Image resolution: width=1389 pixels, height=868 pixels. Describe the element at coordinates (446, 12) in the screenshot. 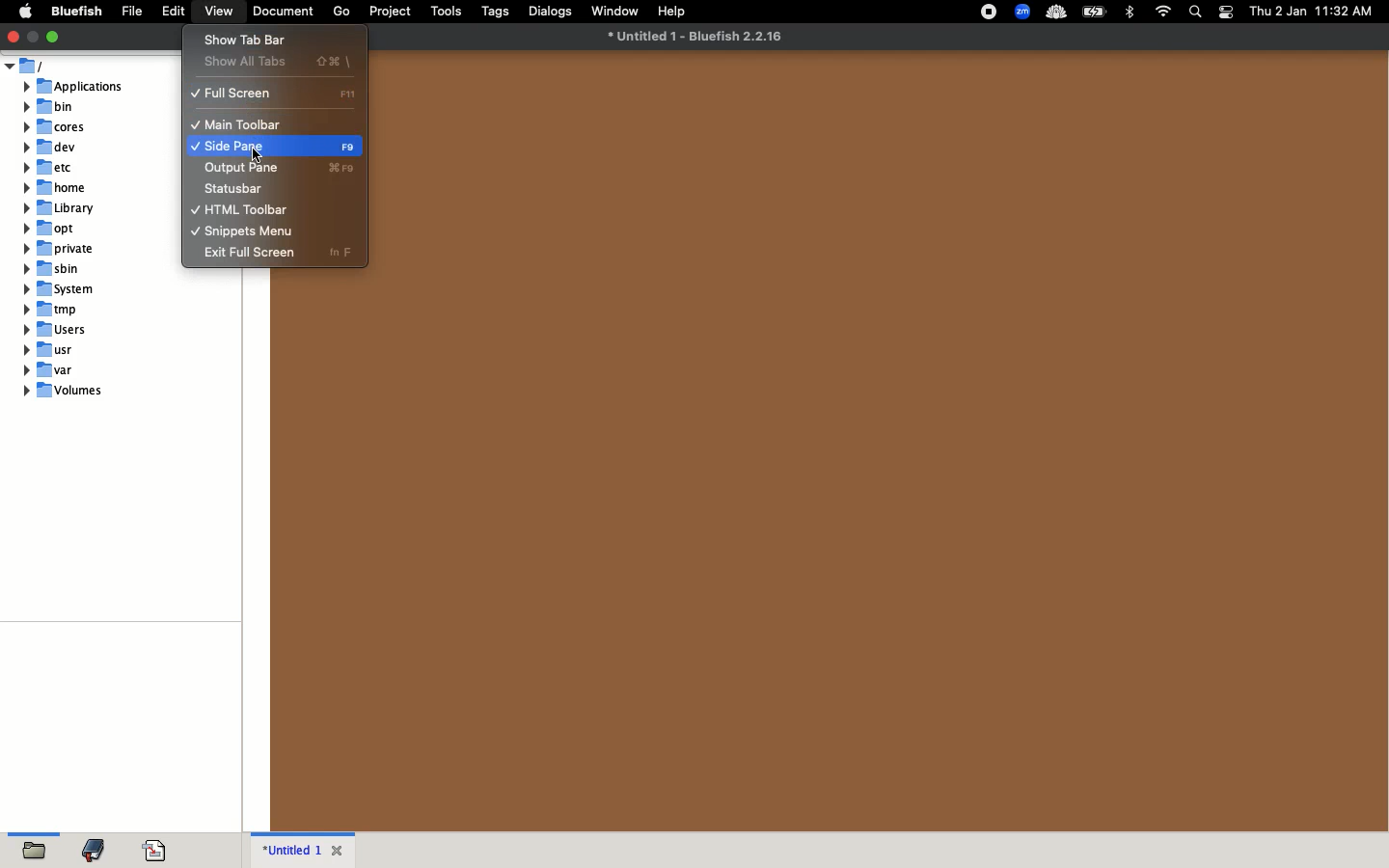

I see `tools` at that location.